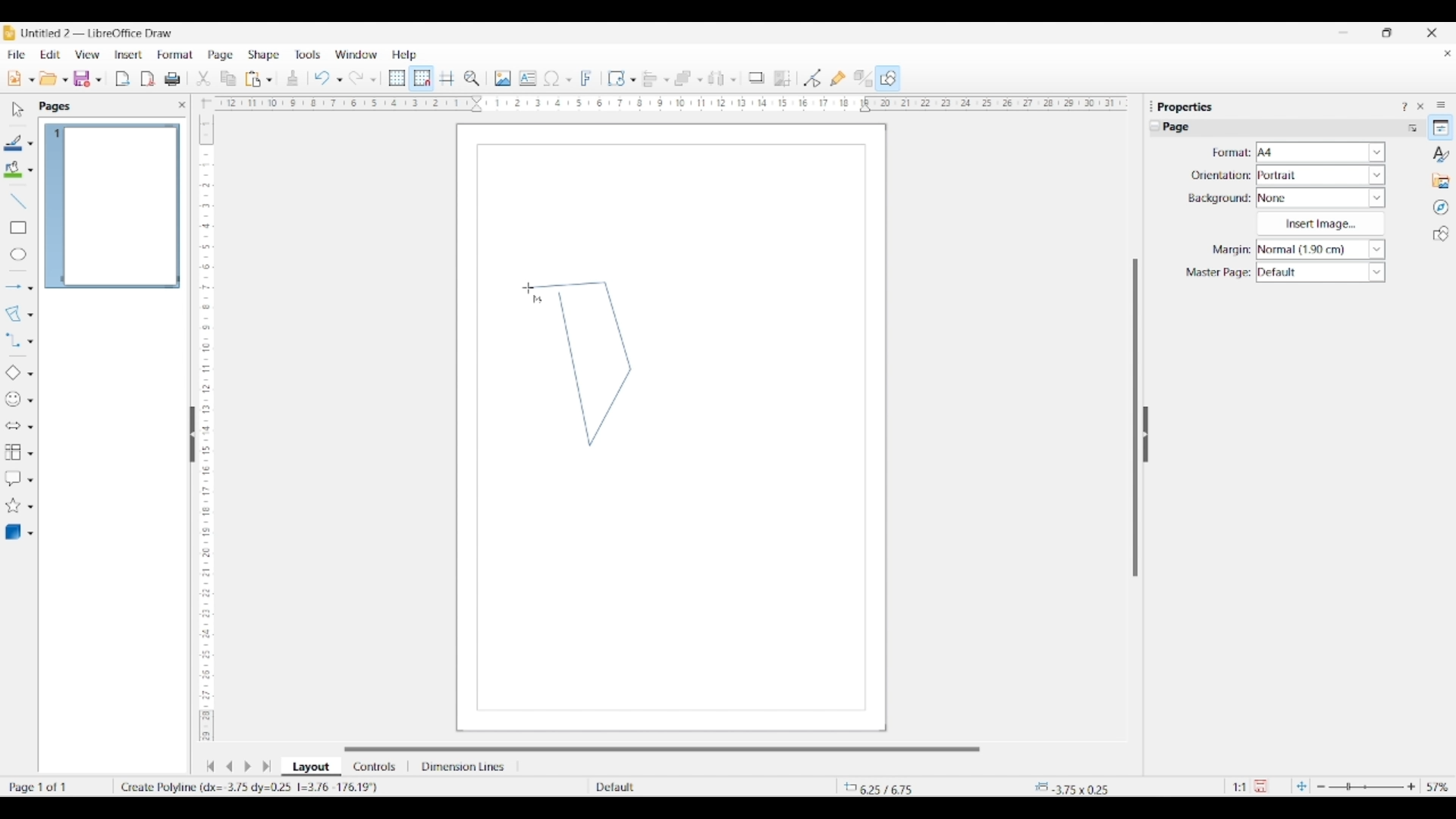  What do you see at coordinates (397, 79) in the screenshot?
I see `Display grid` at bounding box center [397, 79].